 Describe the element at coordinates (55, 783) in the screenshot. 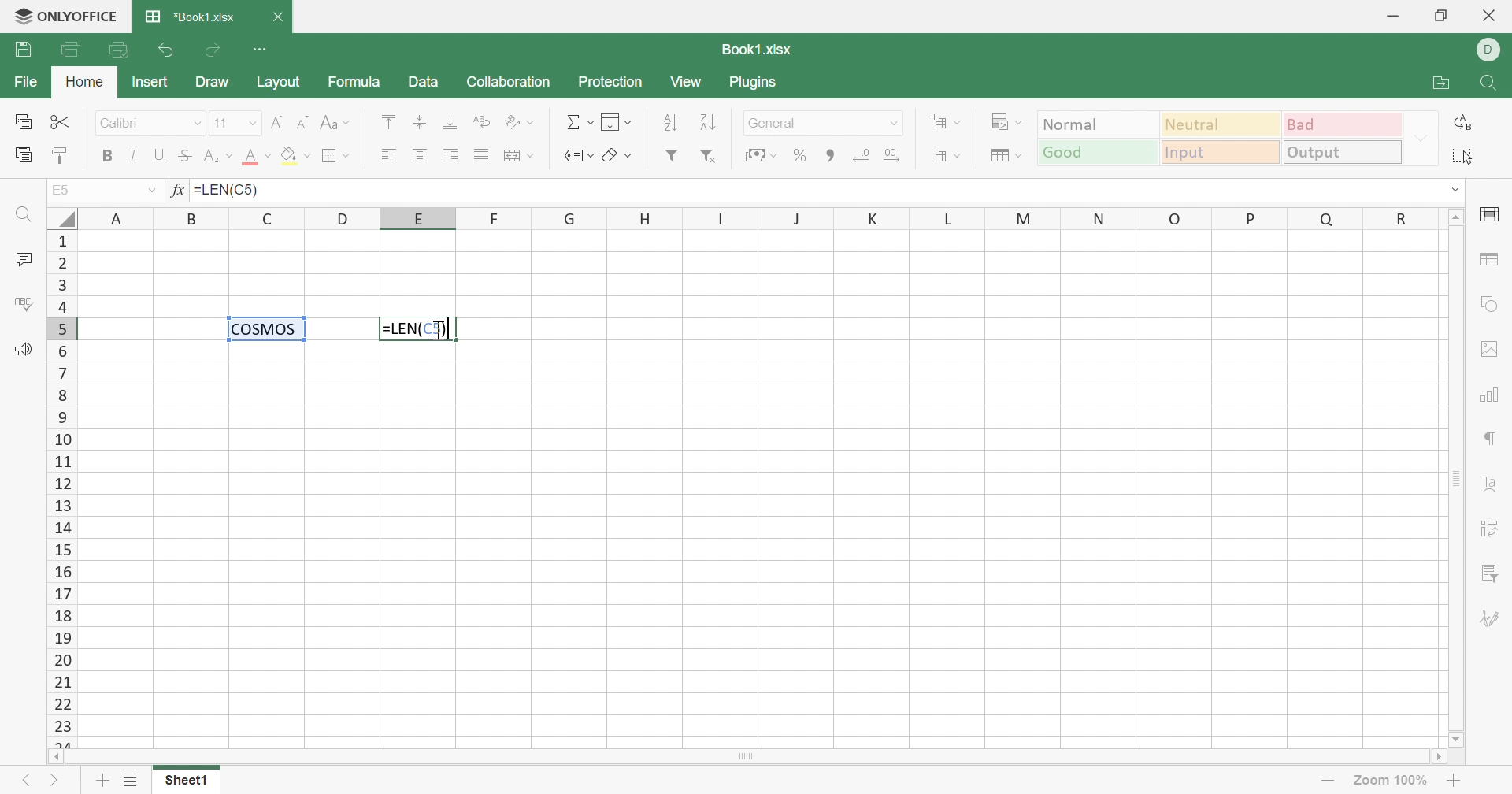

I see `Next` at that location.